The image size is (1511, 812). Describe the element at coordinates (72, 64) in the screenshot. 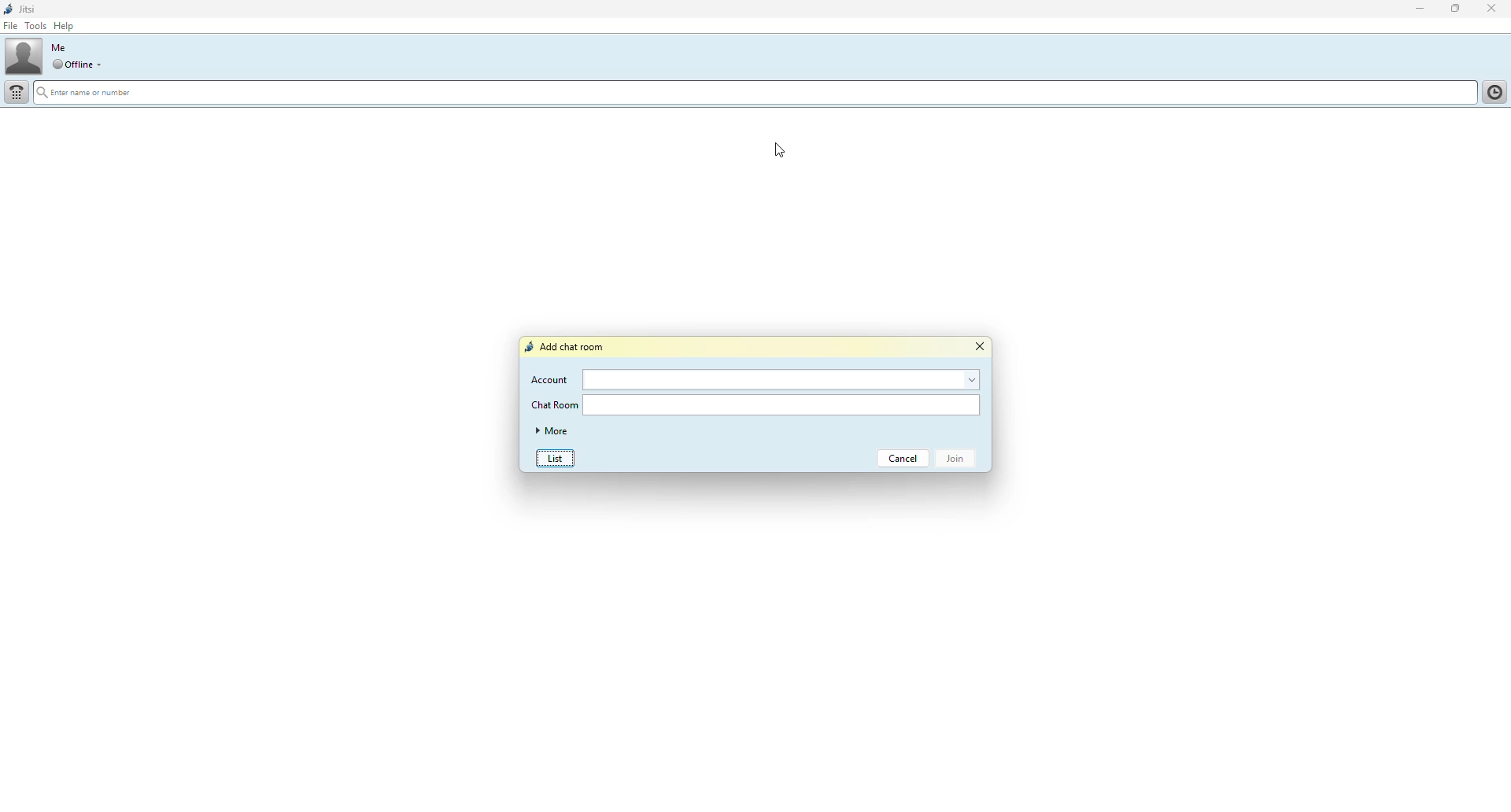

I see `offline` at that location.